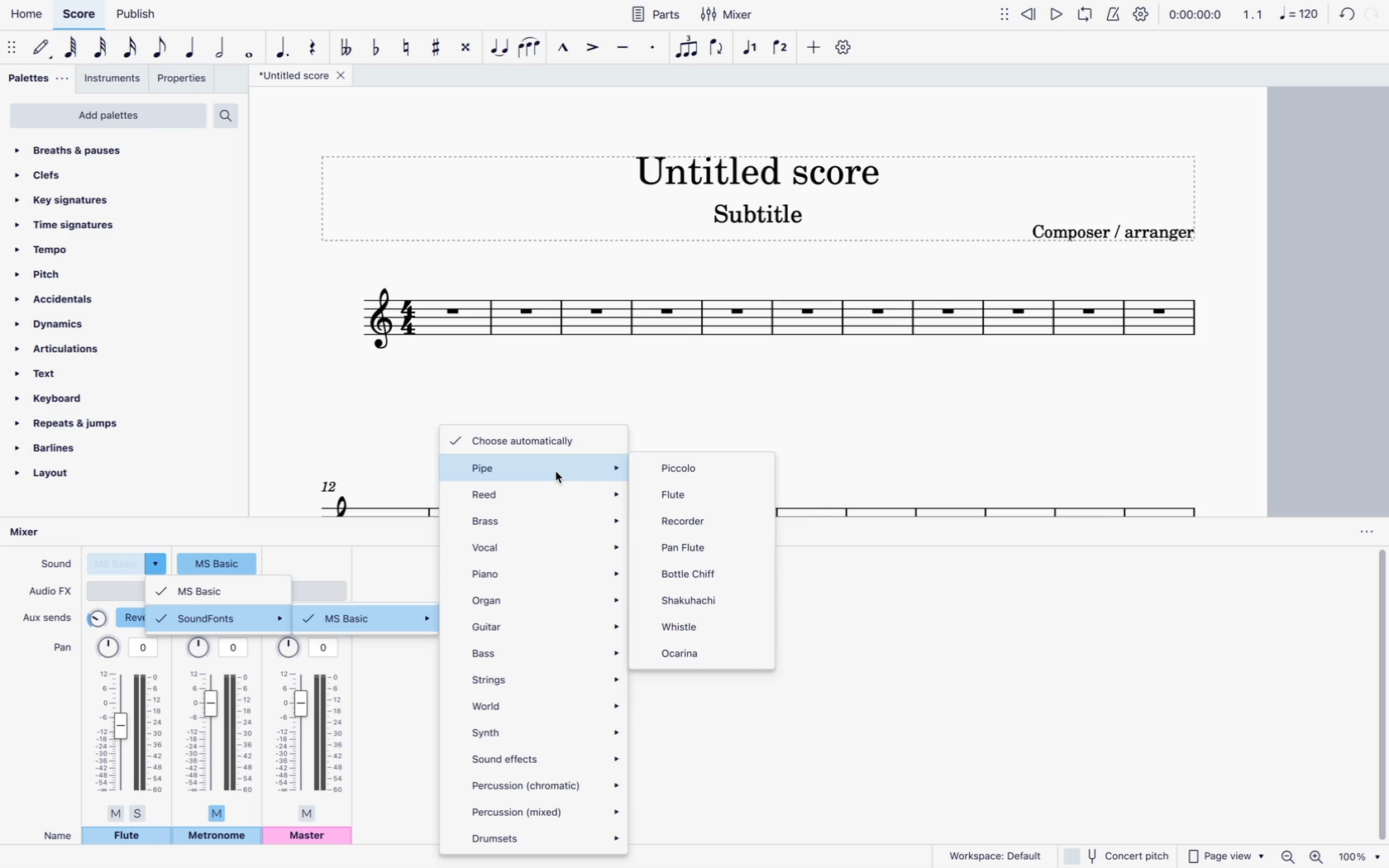 The height and width of the screenshot is (868, 1389). Describe the element at coordinates (590, 47) in the screenshot. I see `accent` at that location.